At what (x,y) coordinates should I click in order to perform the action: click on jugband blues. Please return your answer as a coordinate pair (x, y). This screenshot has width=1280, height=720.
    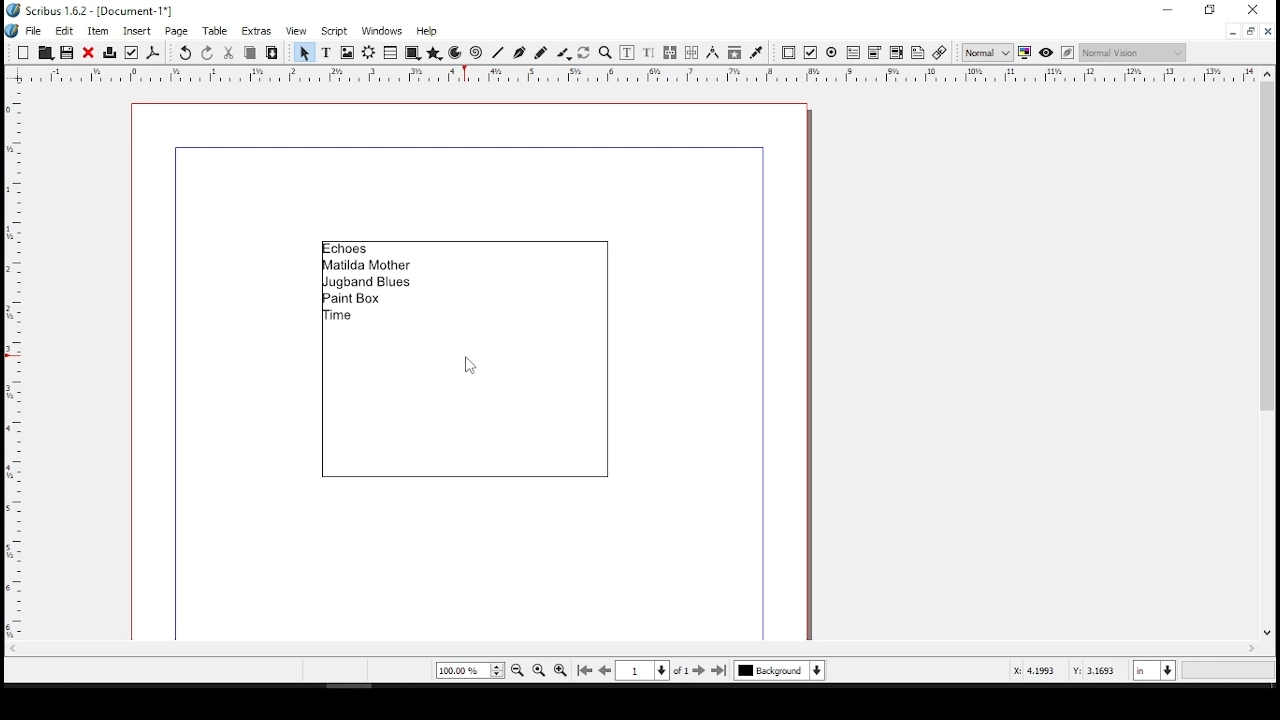
    Looking at the image, I should click on (369, 284).